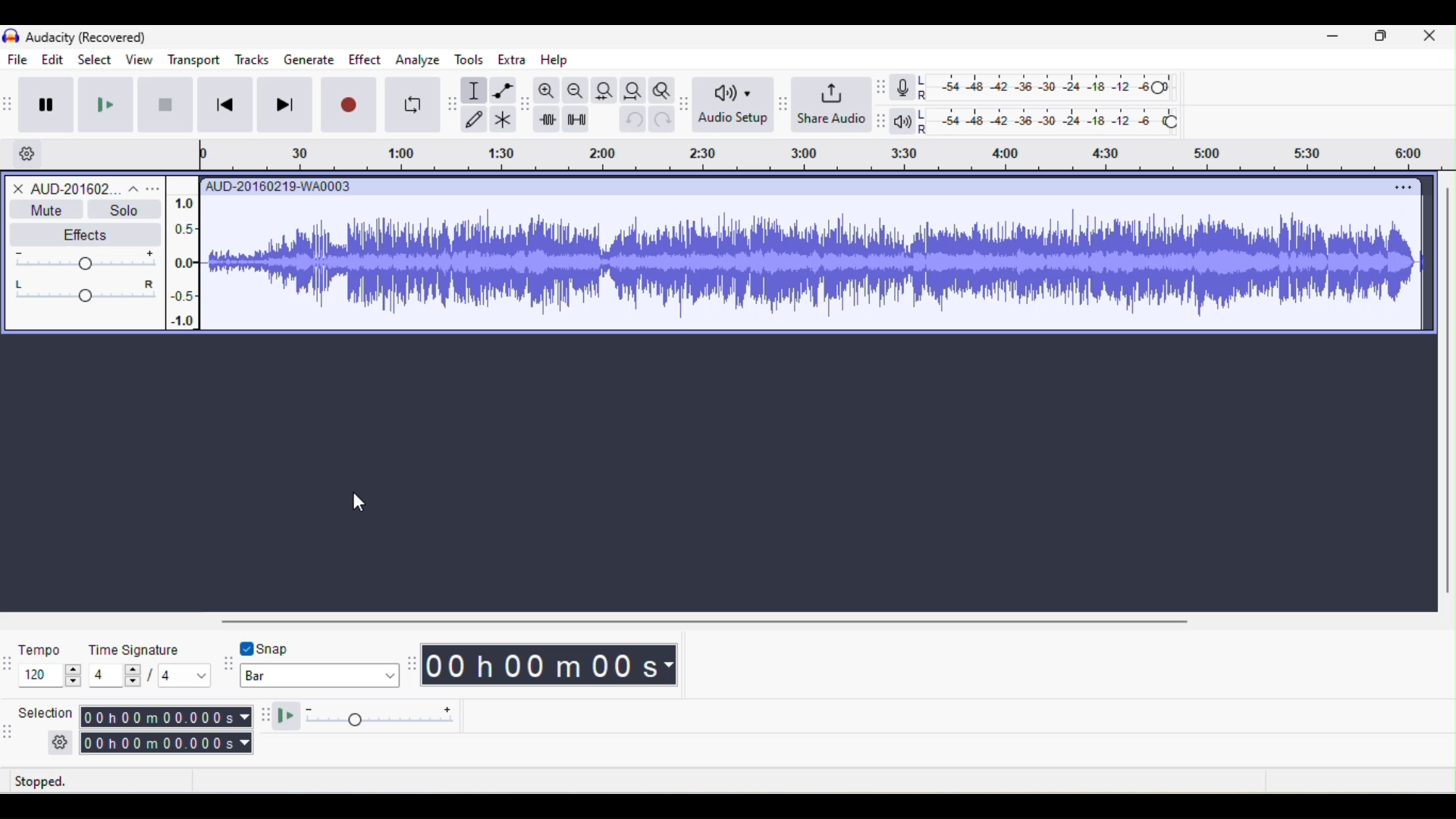 Image resolution: width=1456 pixels, height=819 pixels. Describe the element at coordinates (93, 58) in the screenshot. I see `select` at that location.